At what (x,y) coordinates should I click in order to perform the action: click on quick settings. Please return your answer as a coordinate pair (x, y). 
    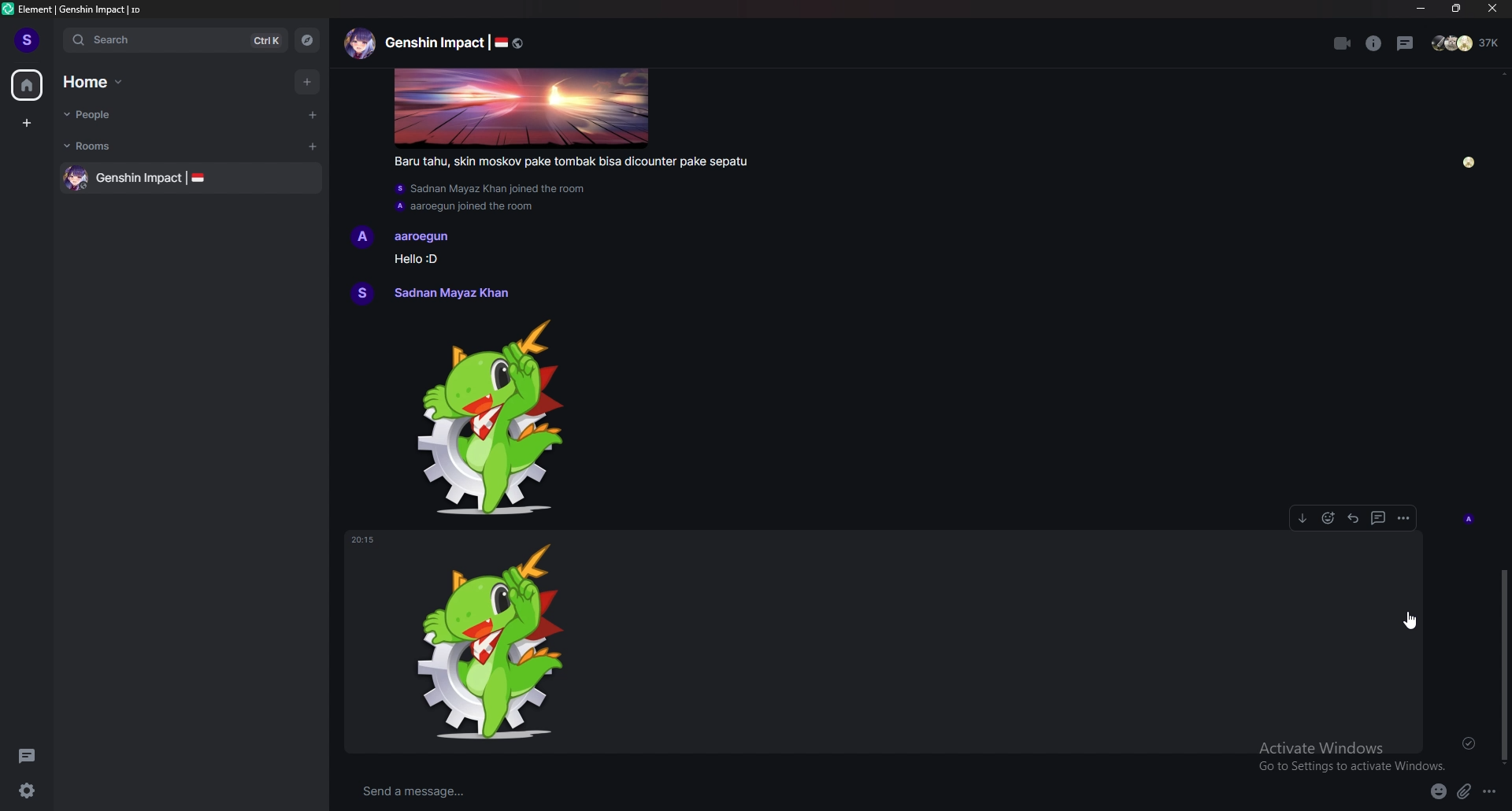
    Looking at the image, I should click on (27, 790).